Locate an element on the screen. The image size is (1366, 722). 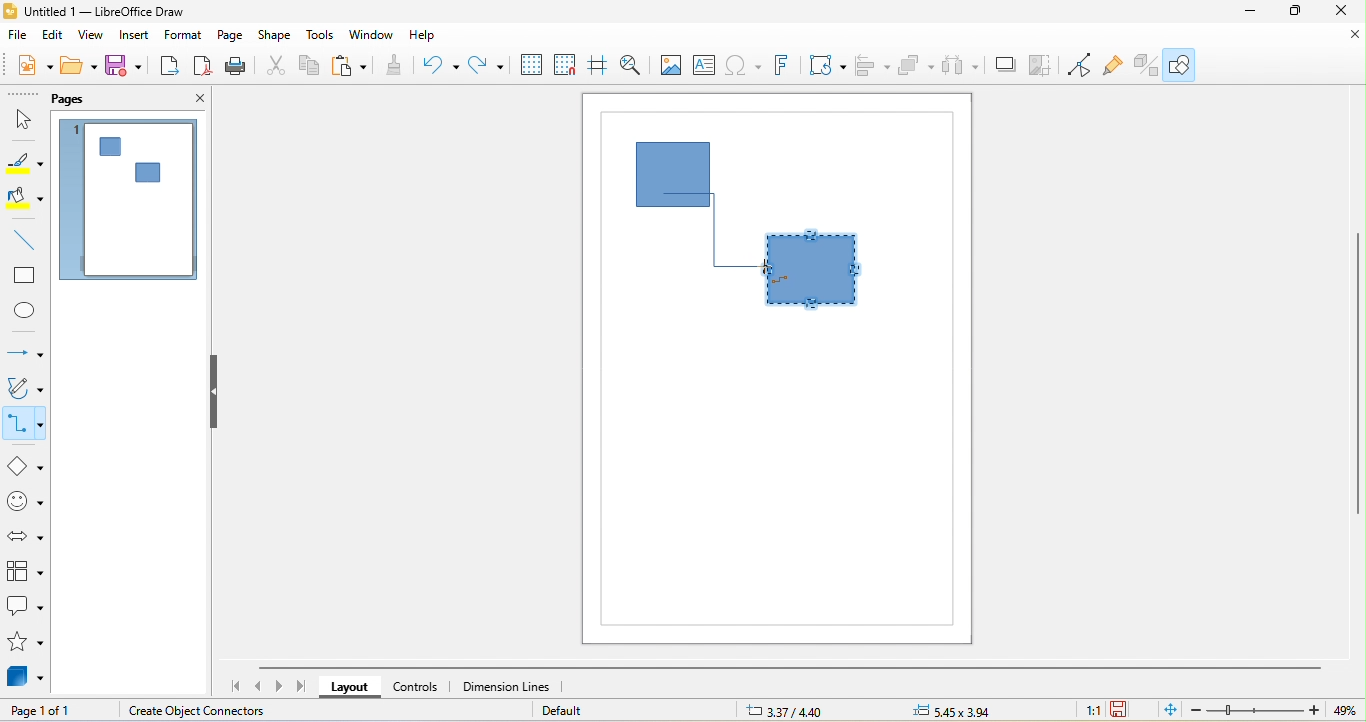
dimension lines is located at coordinates (514, 687).